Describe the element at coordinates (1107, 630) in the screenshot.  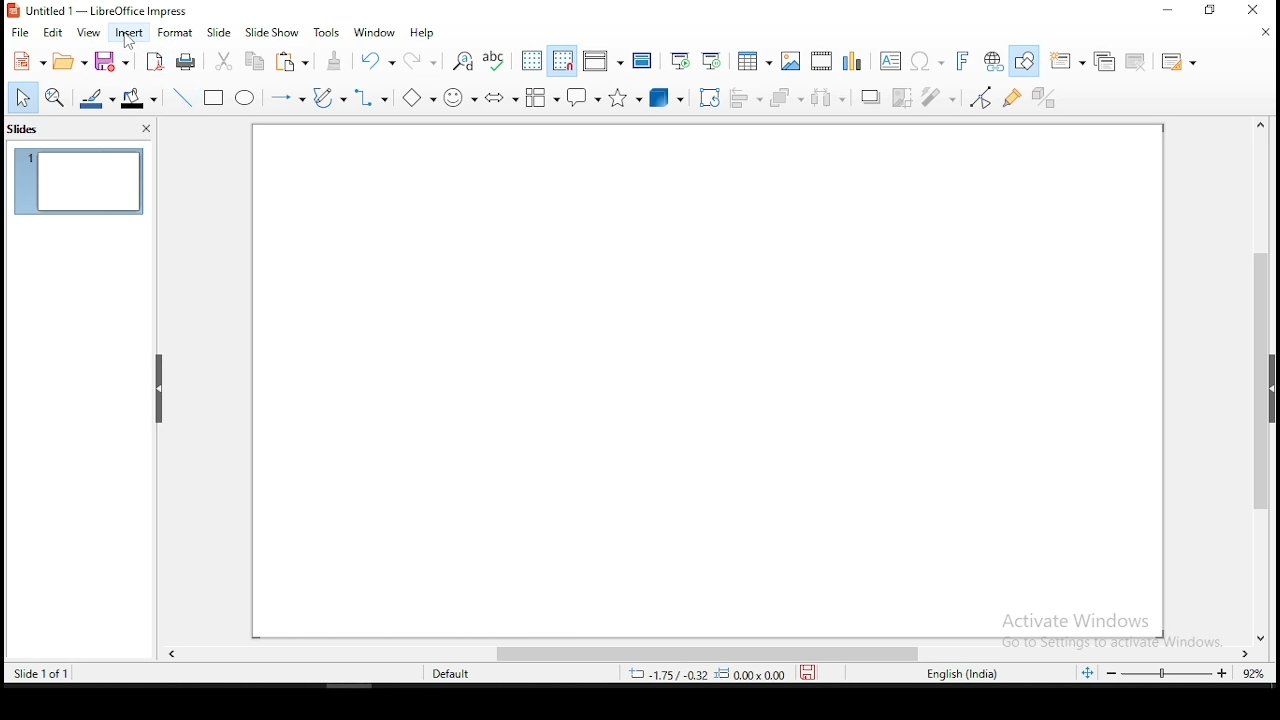
I see `activate windows` at that location.